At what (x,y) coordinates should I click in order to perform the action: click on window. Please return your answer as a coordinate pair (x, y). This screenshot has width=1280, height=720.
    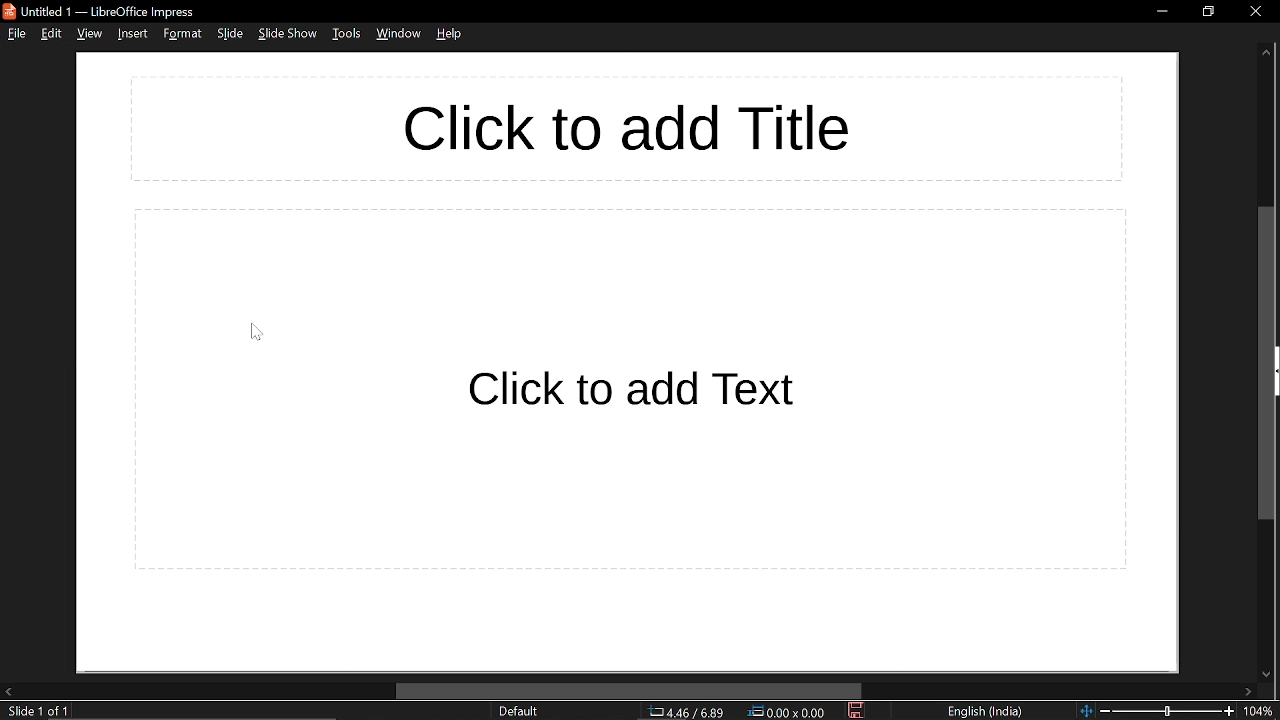
    Looking at the image, I should click on (401, 33).